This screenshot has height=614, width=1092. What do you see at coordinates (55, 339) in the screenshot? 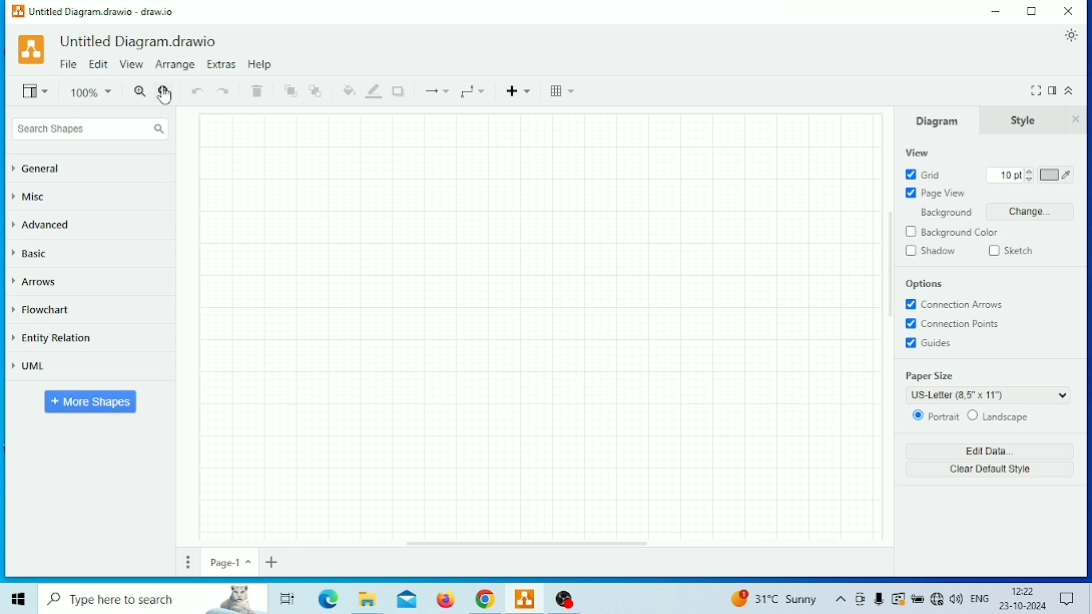
I see `Entity Relation` at bounding box center [55, 339].